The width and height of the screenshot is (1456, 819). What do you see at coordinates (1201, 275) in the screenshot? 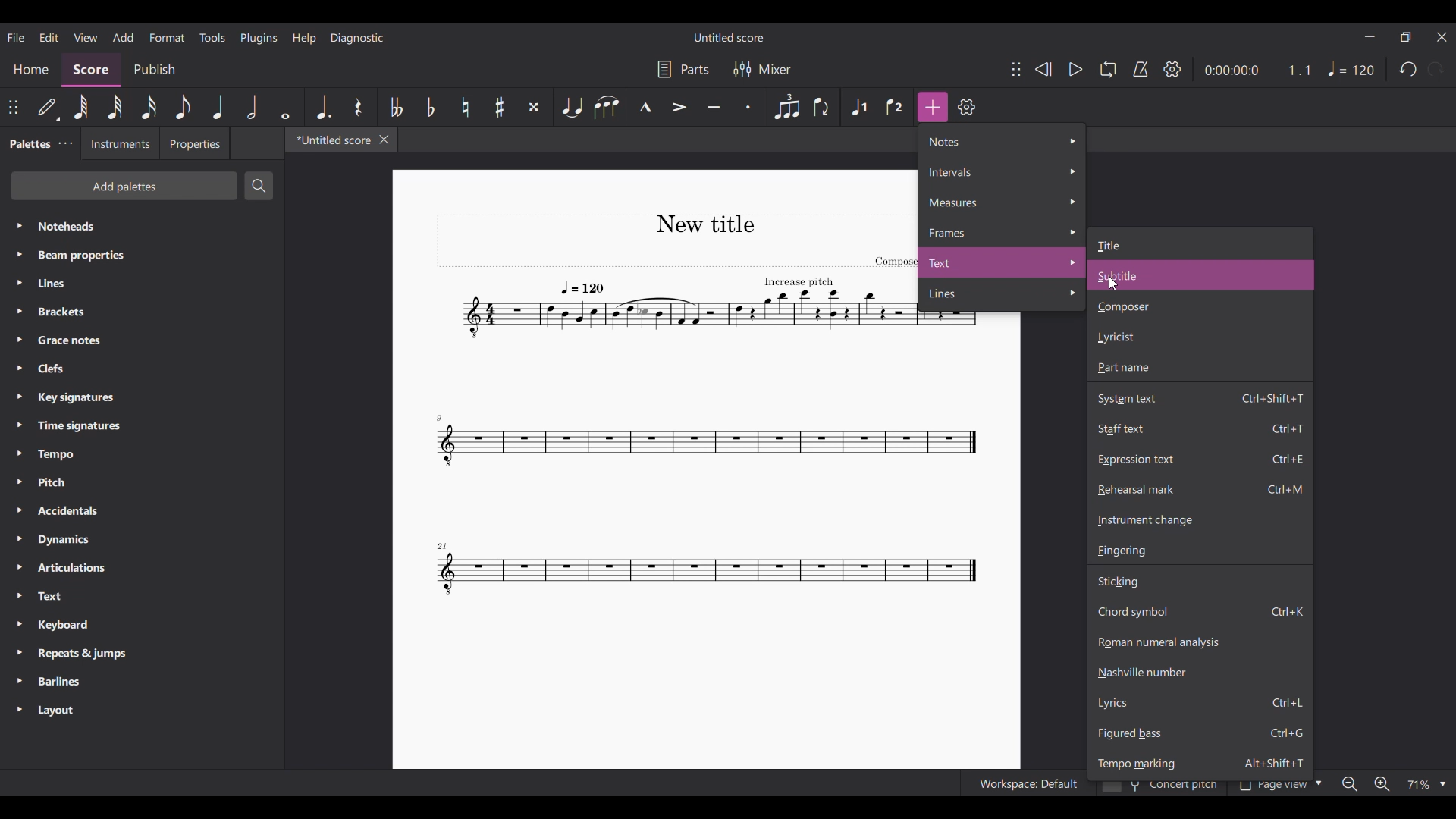
I see `Subtitle highlighted by cursor` at bounding box center [1201, 275].